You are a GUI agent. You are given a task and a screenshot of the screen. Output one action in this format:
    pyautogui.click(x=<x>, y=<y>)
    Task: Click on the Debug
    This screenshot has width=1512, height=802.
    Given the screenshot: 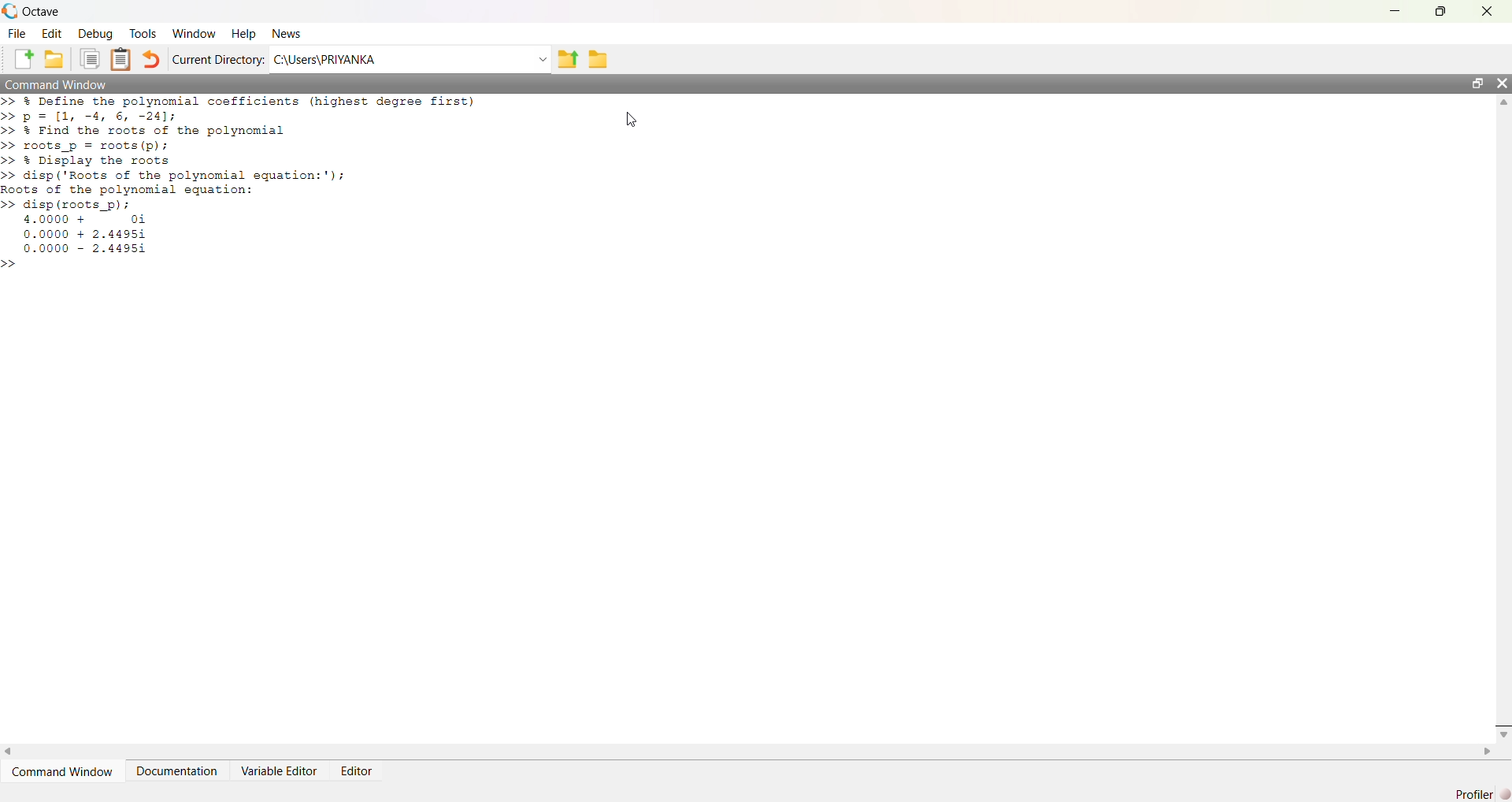 What is the action you would take?
    pyautogui.click(x=98, y=35)
    